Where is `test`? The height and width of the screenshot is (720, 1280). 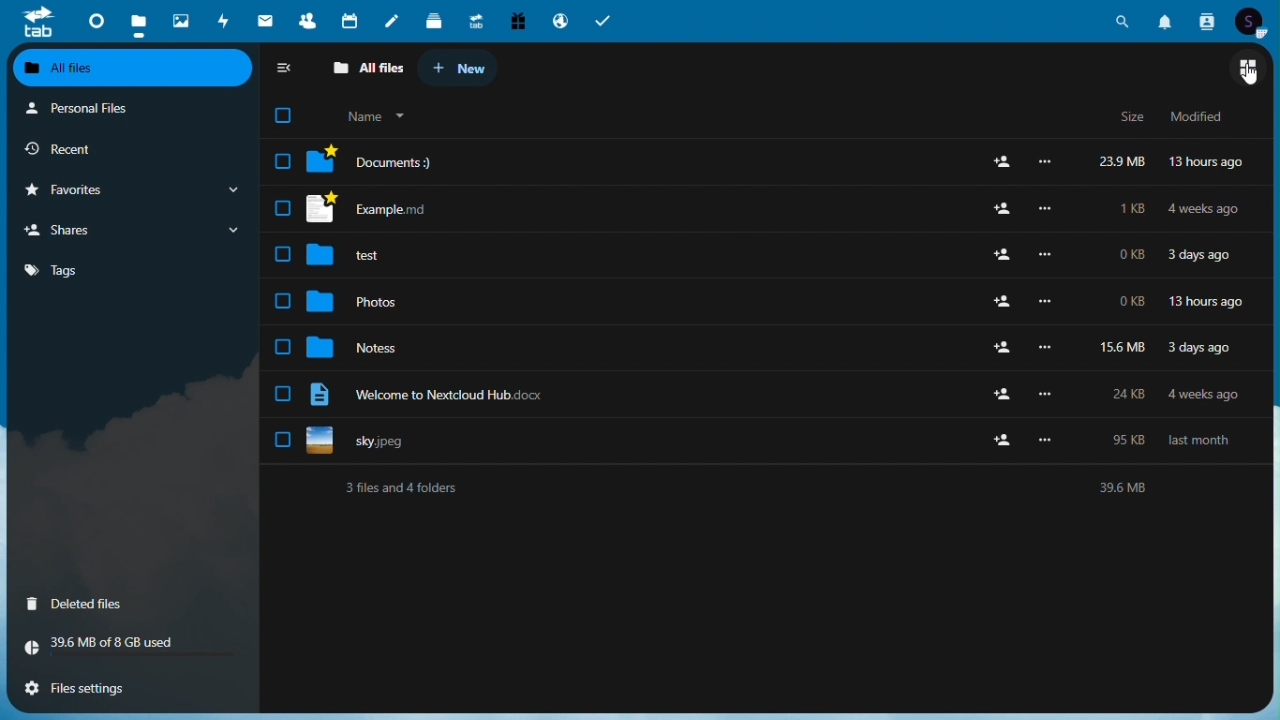 test is located at coordinates (388, 254).